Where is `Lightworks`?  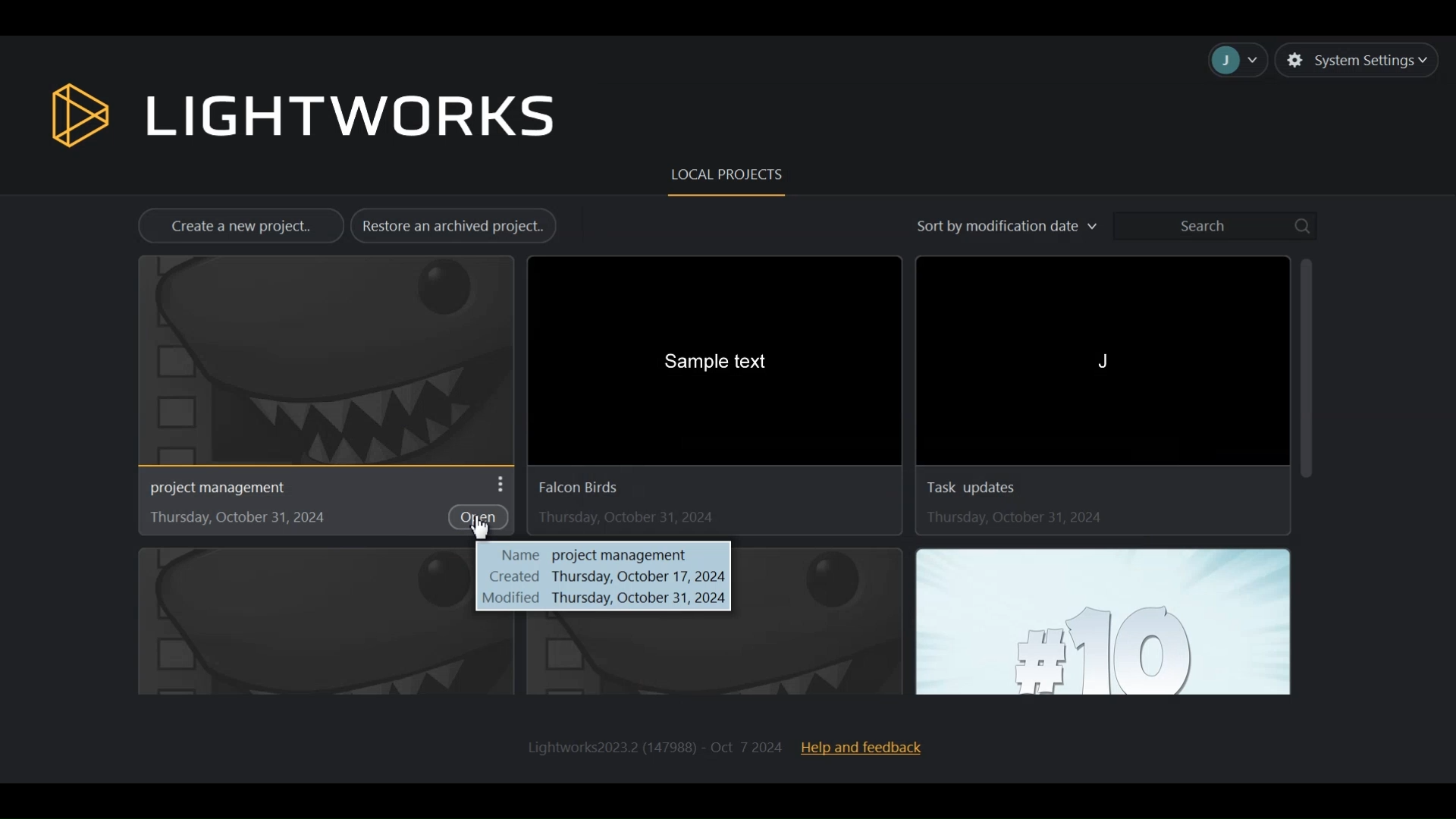
Lightworks is located at coordinates (725, 748).